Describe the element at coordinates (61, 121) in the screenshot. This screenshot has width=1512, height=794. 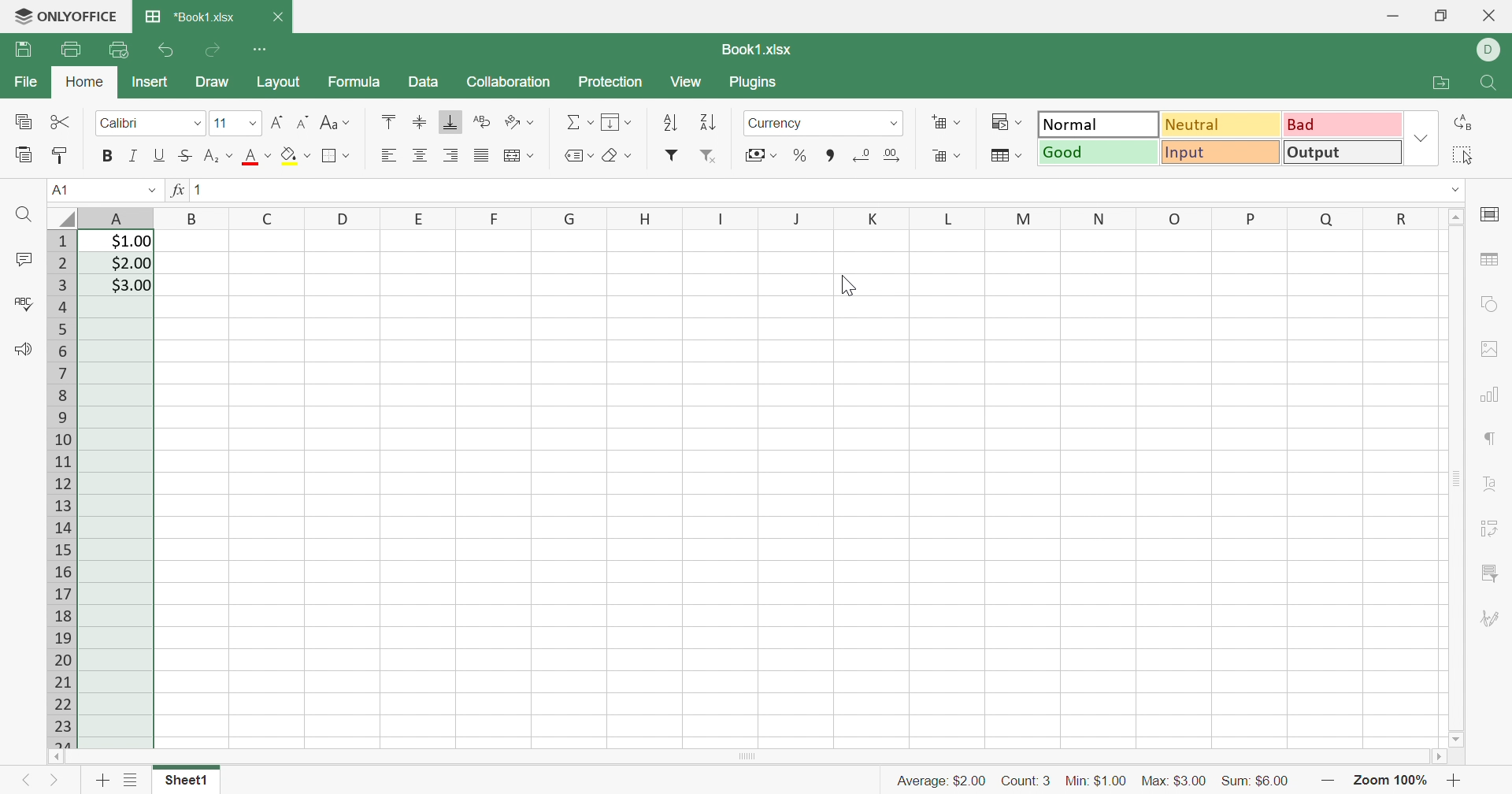
I see `Cut` at that location.